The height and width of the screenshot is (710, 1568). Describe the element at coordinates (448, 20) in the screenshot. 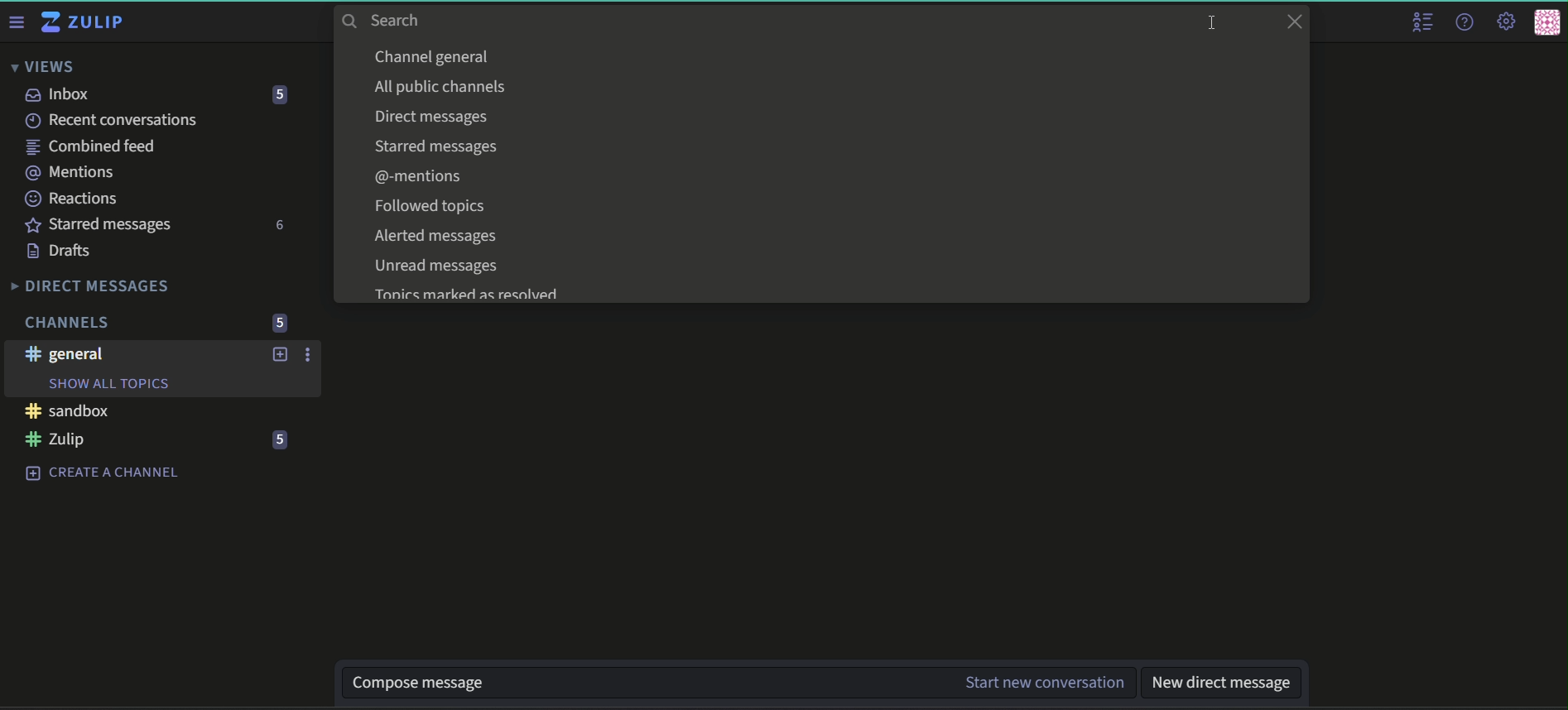

I see `search bar` at that location.